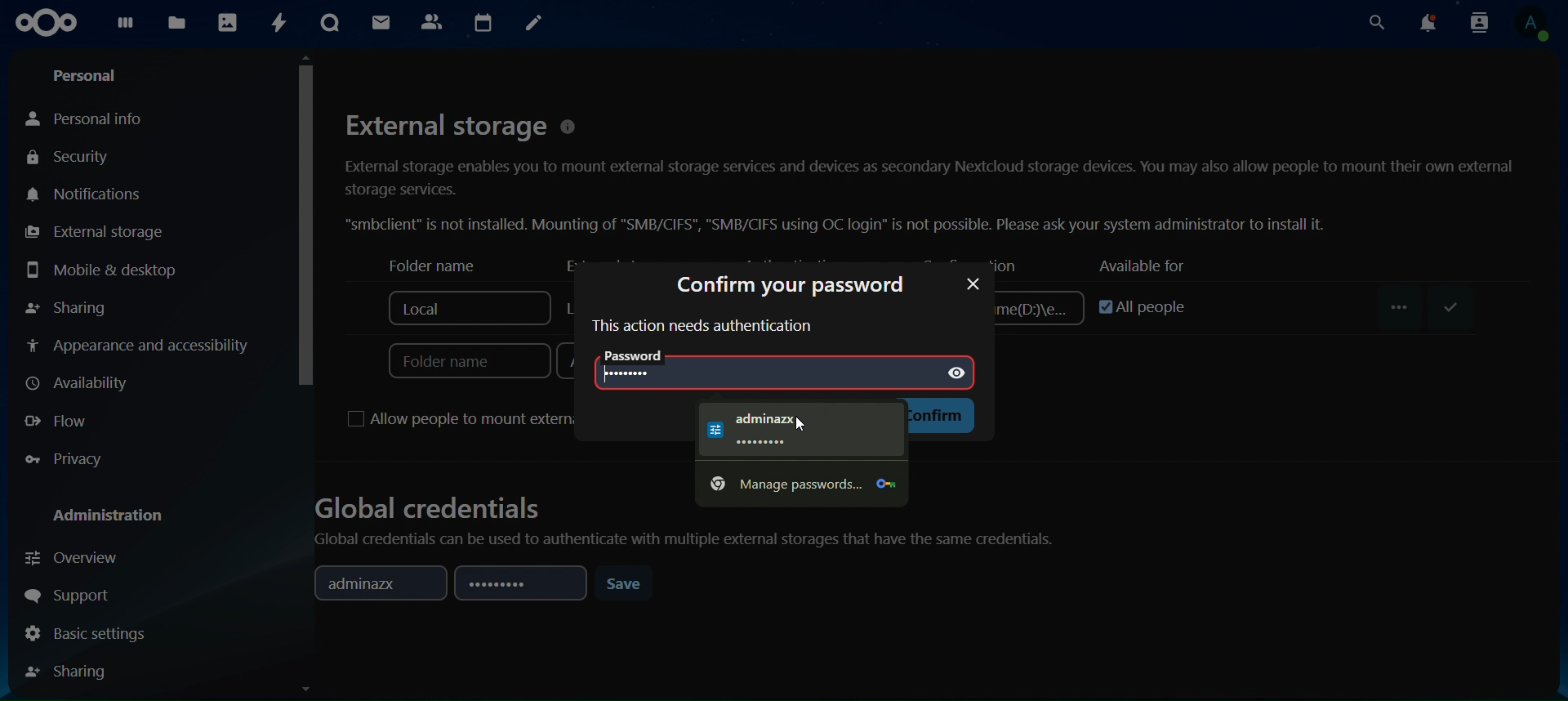 The image size is (1568, 701). I want to click on talk, so click(332, 23).